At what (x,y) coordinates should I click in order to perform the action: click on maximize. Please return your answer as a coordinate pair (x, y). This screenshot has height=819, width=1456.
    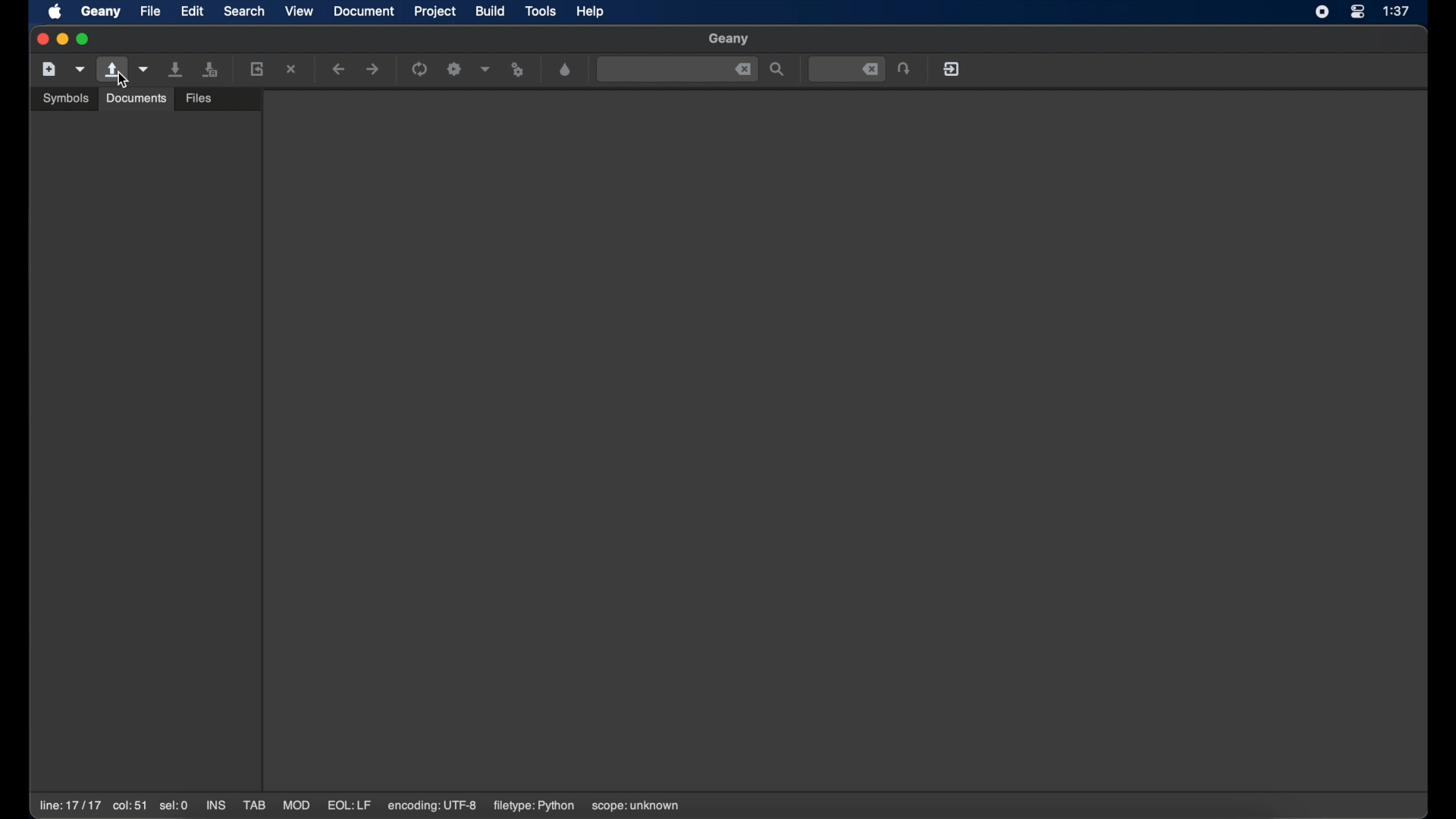
    Looking at the image, I should click on (85, 39).